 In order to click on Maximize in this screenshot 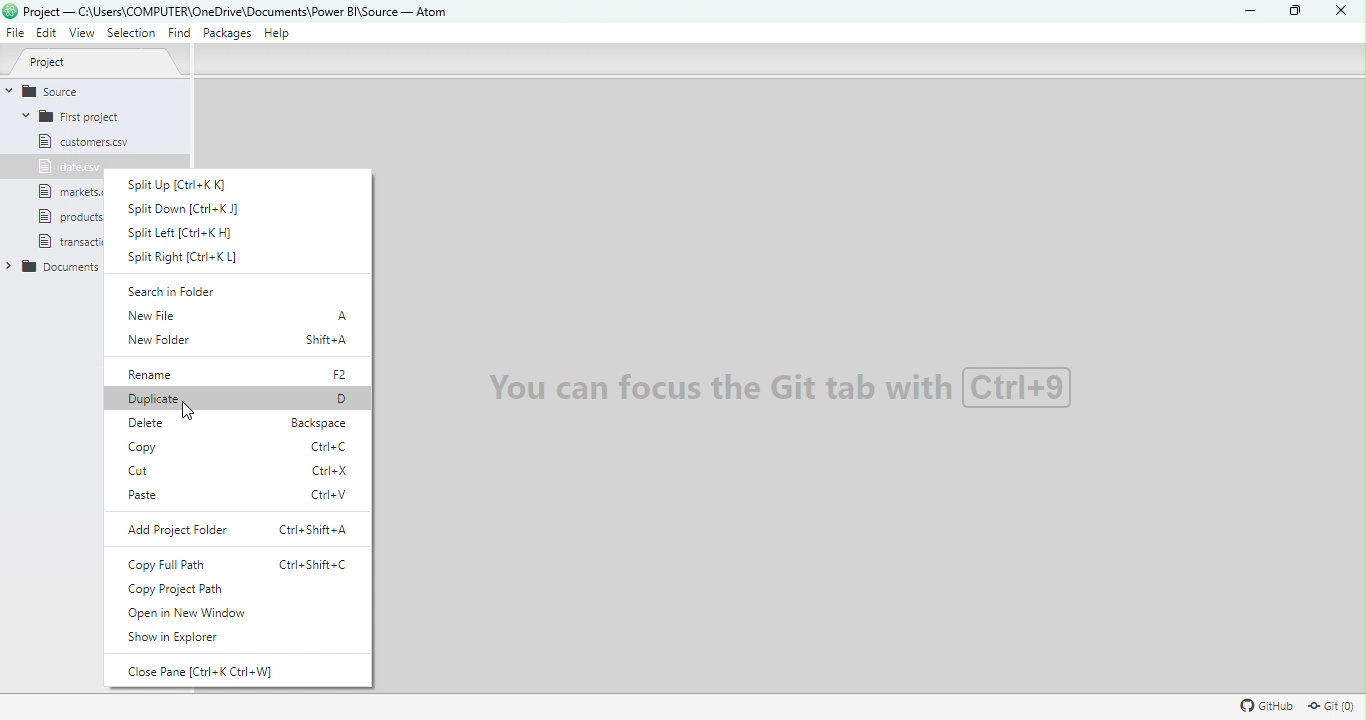, I will do `click(1291, 11)`.